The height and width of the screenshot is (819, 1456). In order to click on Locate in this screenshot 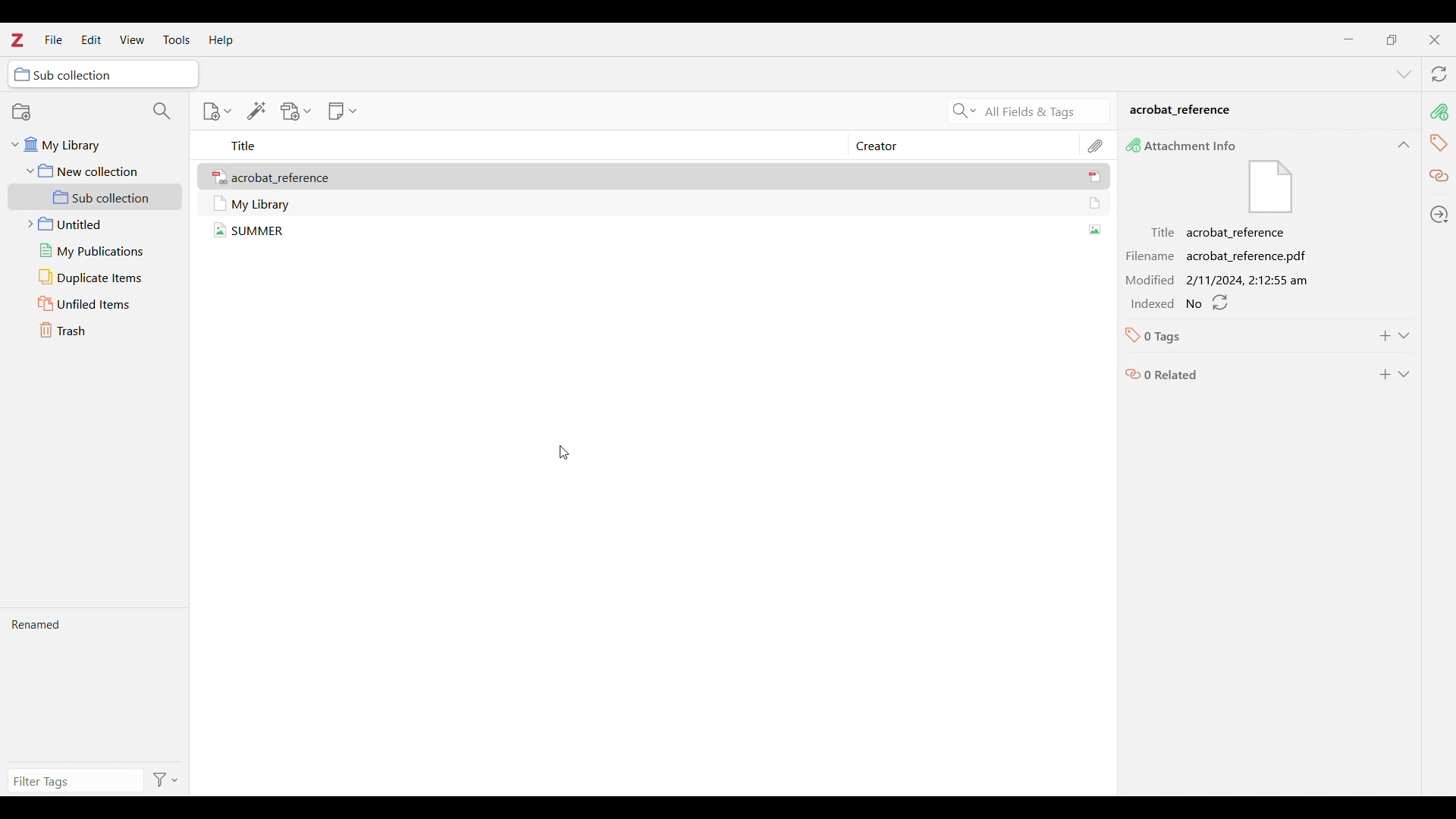, I will do `click(1439, 215)`.